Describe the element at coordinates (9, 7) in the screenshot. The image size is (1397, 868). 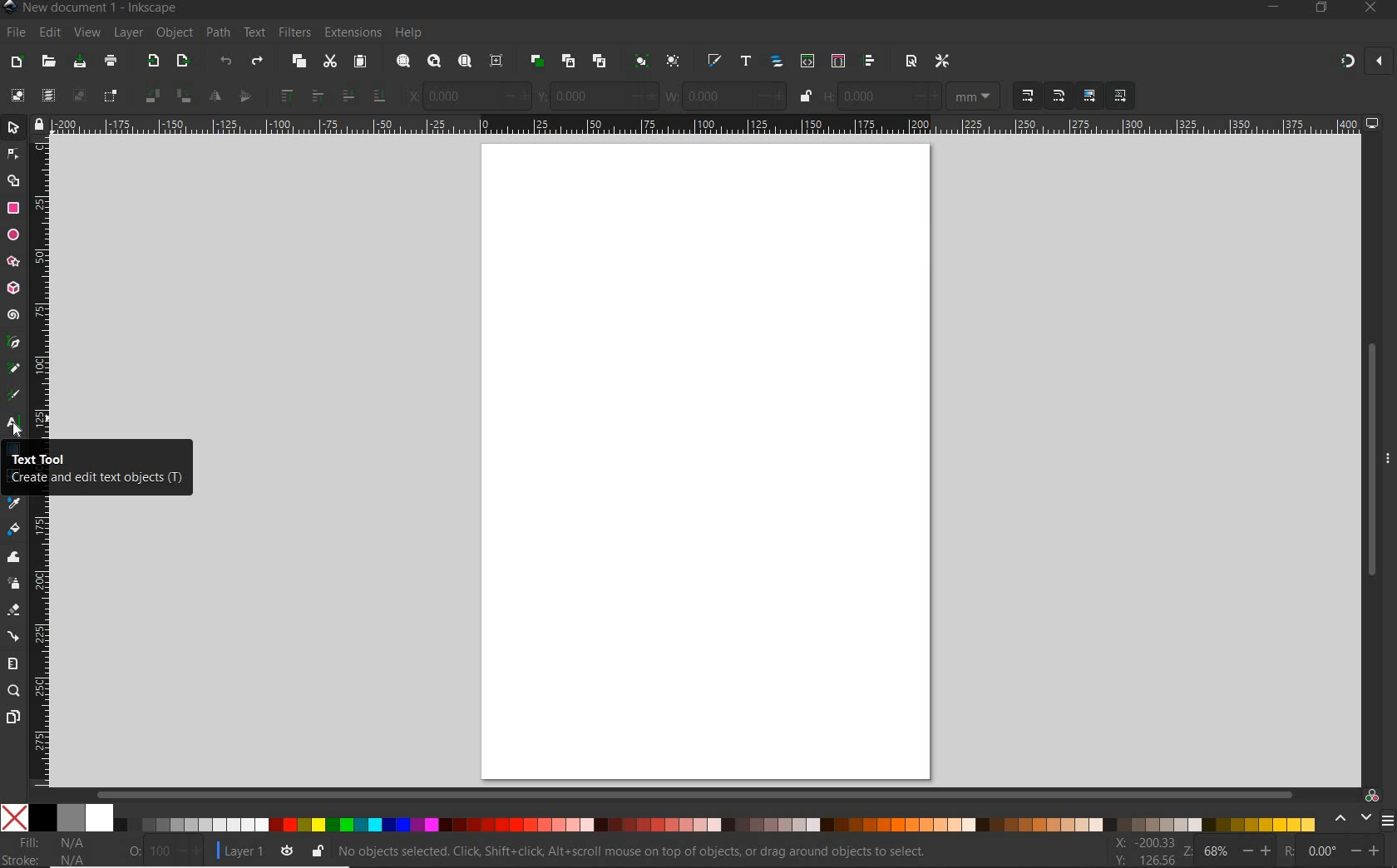
I see `logo` at that location.